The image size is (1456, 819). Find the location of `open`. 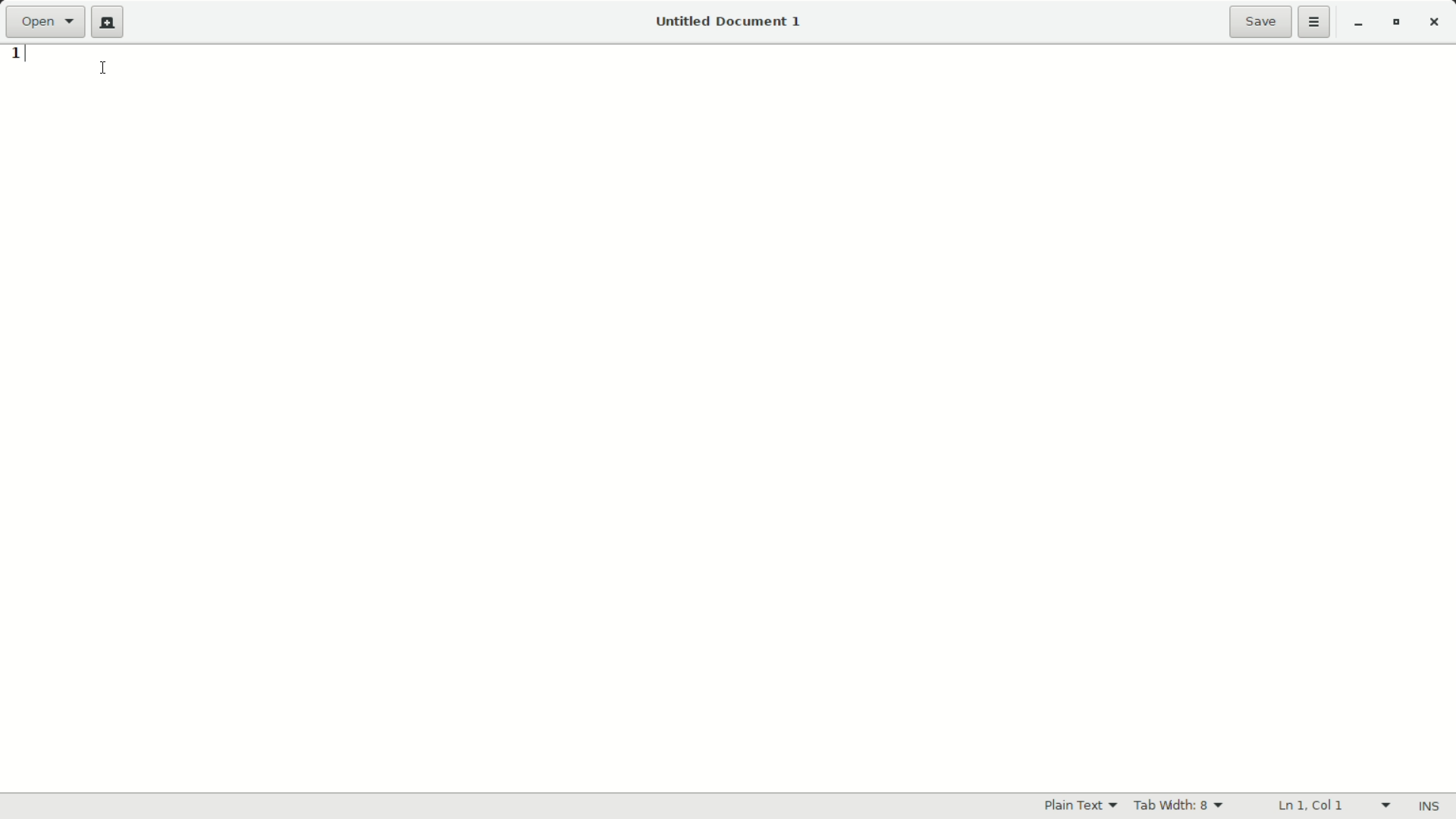

open is located at coordinates (47, 22).